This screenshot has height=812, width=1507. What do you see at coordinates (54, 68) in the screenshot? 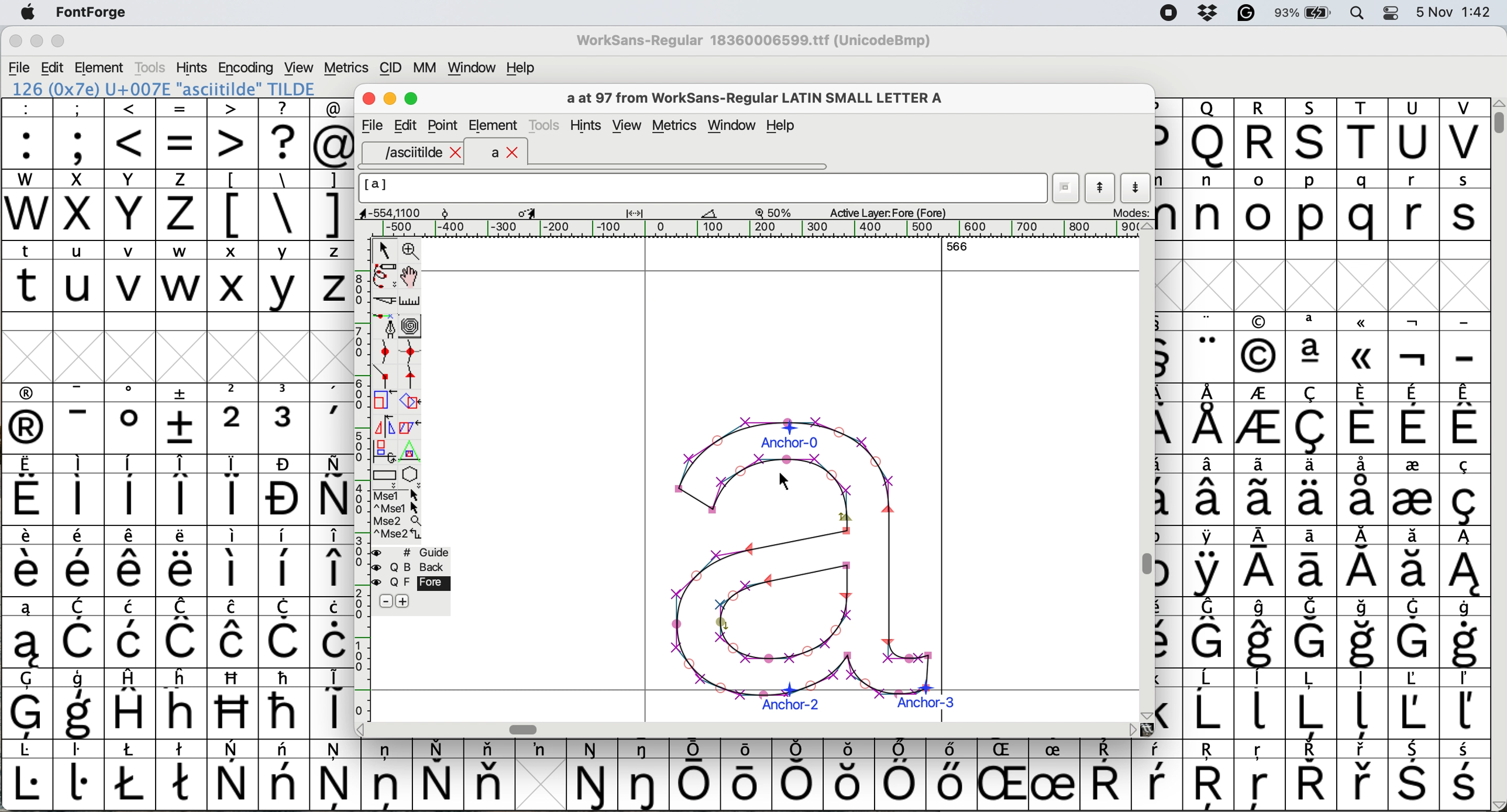
I see `edit` at bounding box center [54, 68].